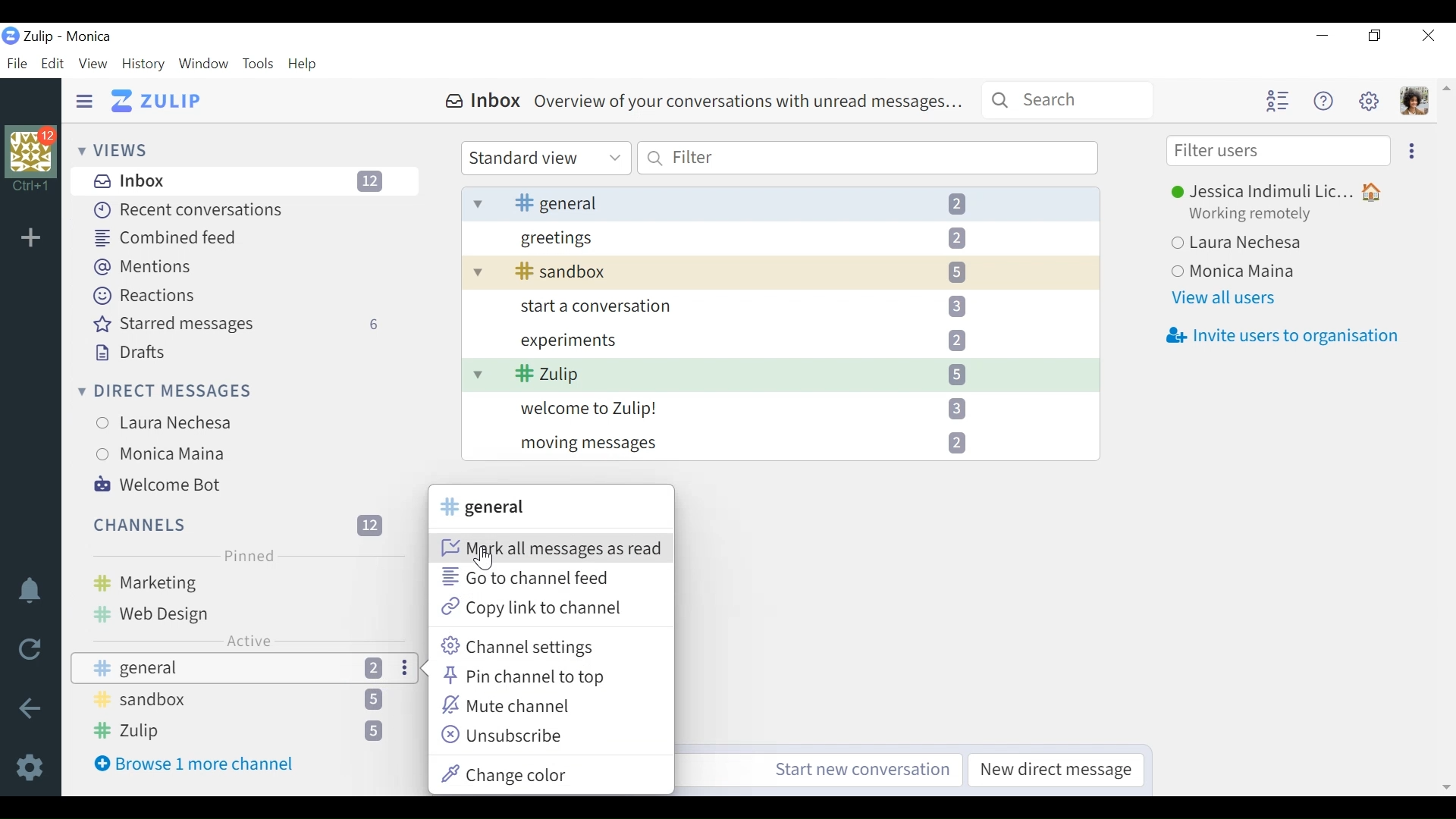 The width and height of the screenshot is (1456, 819). Describe the element at coordinates (11, 37) in the screenshot. I see `Logo` at that location.